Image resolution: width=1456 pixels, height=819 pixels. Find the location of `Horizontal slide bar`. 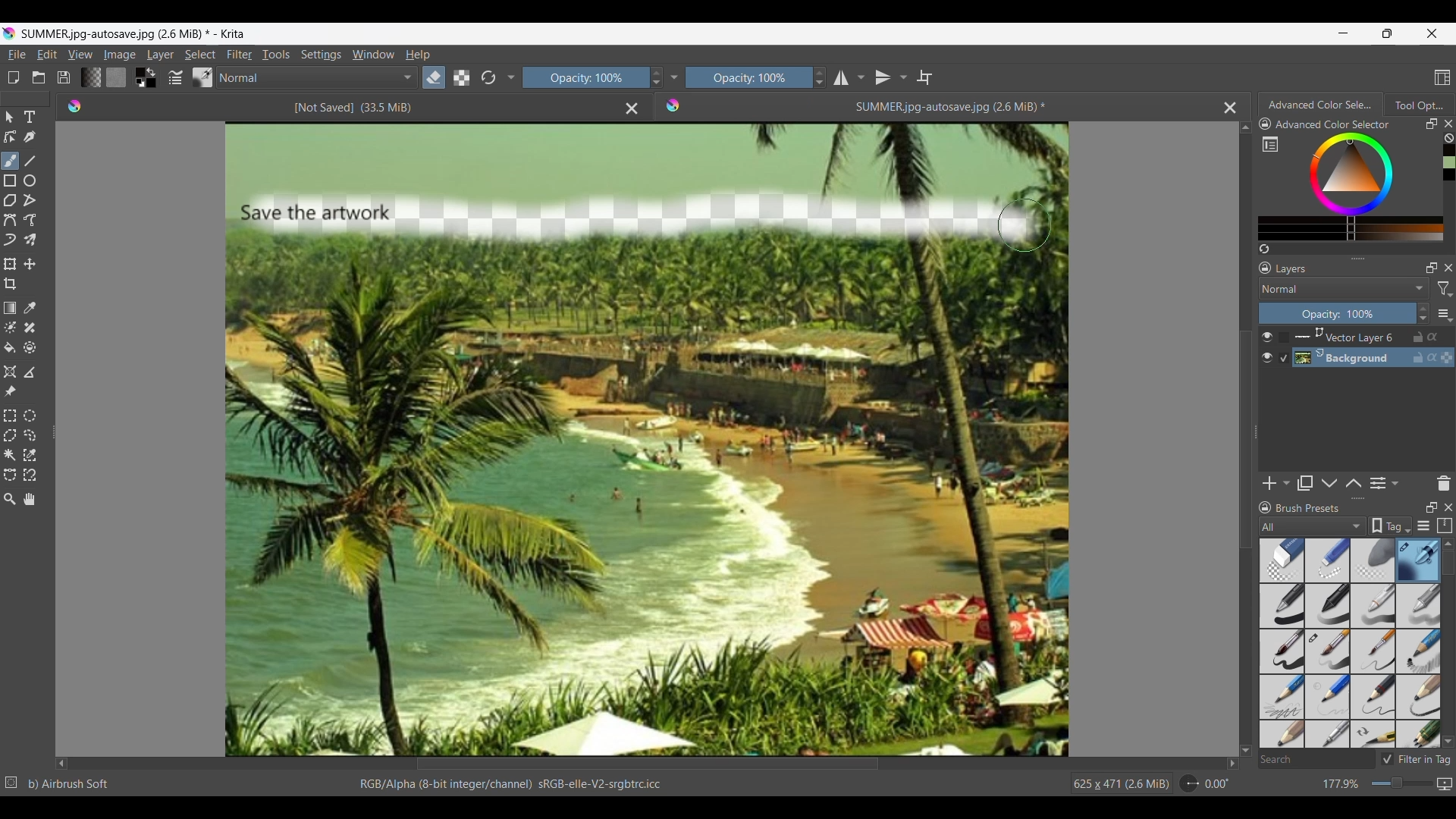

Horizontal slide bar is located at coordinates (648, 764).